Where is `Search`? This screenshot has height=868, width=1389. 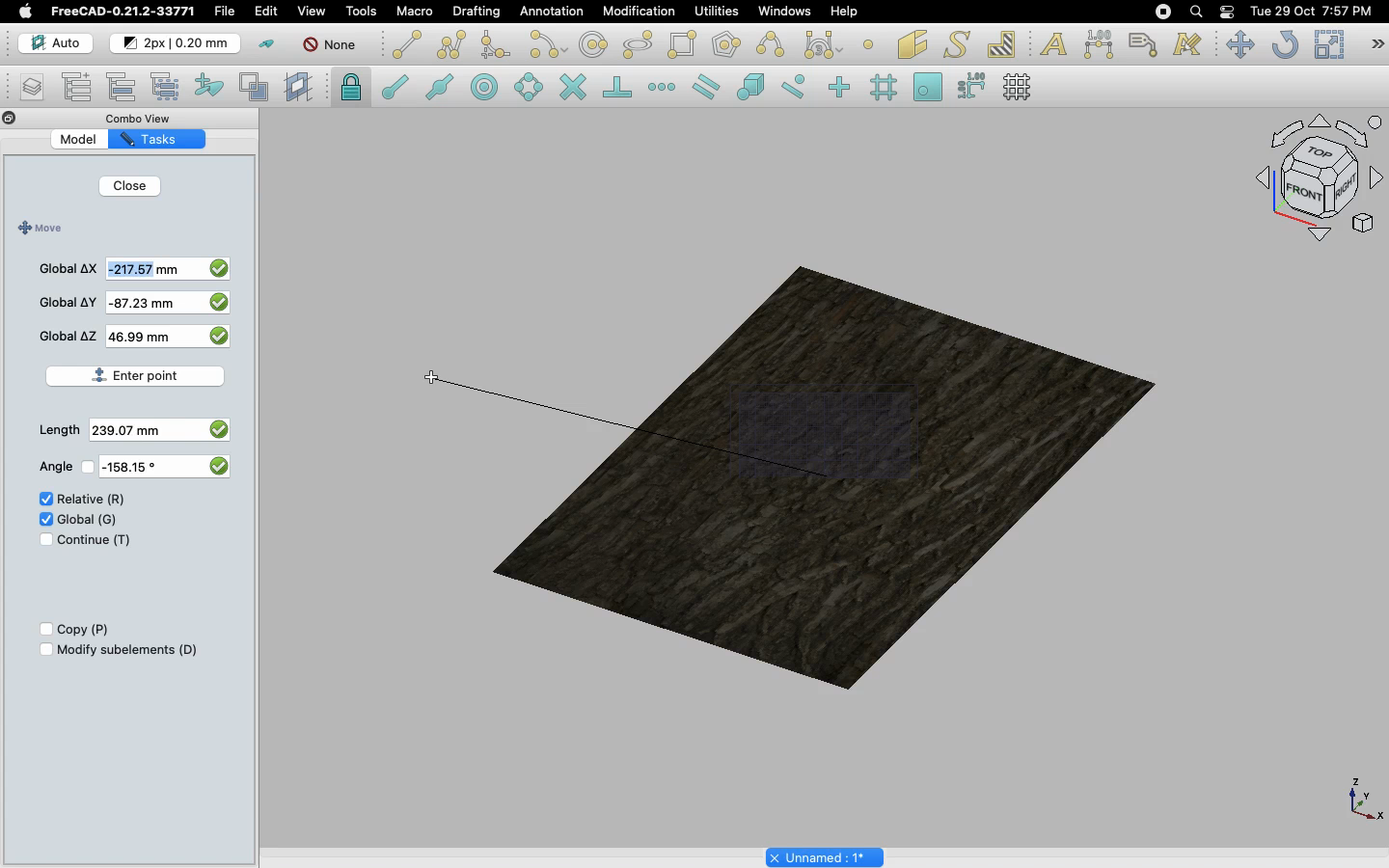
Search is located at coordinates (1195, 12).